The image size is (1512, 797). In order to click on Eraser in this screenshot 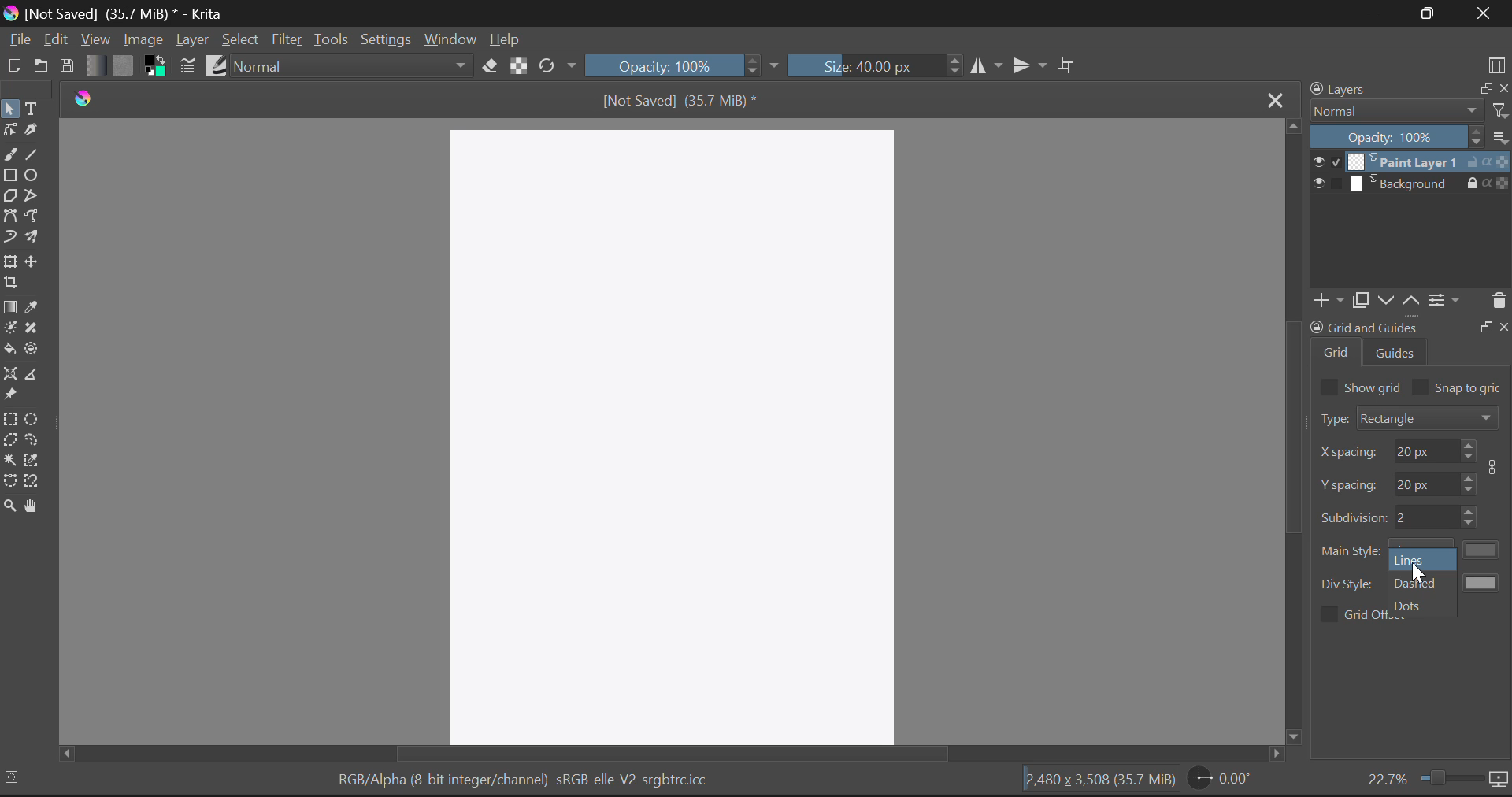, I will do `click(490, 66)`.